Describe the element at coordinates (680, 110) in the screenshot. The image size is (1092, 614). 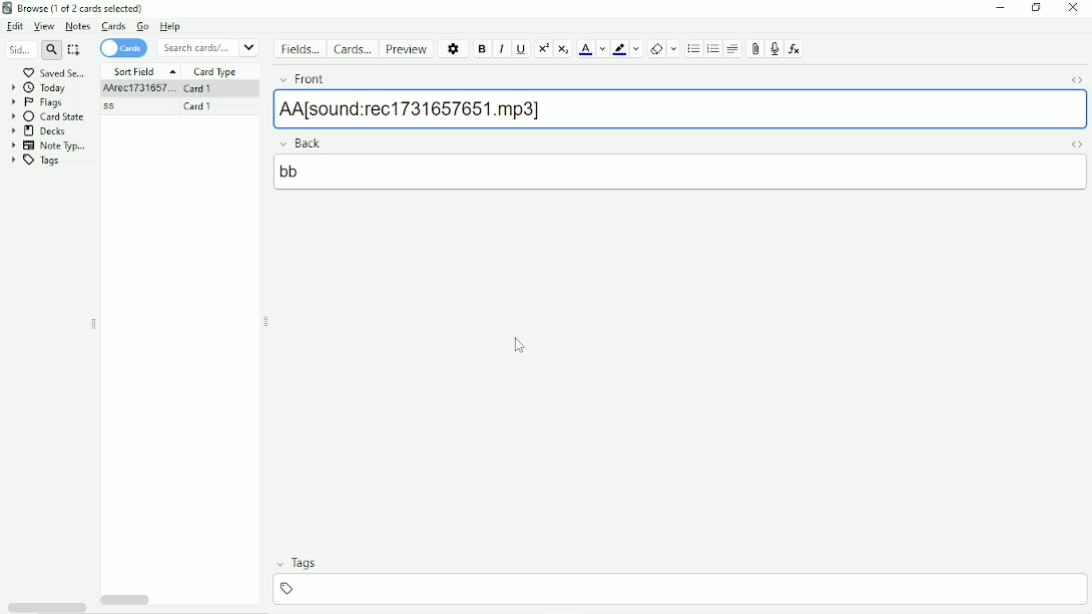
I see `'AA[sound:rec1731657651.mp3]` at that location.